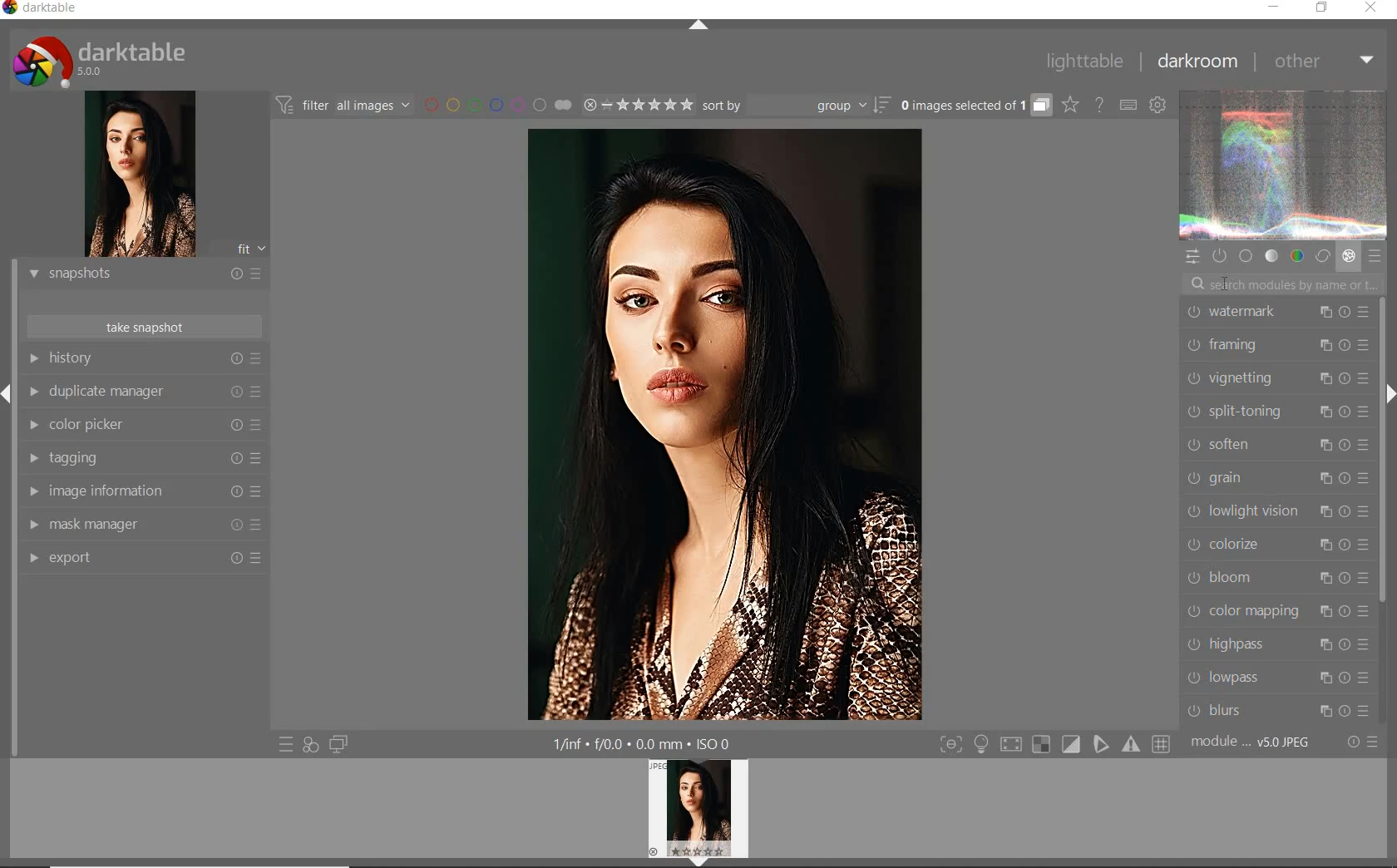  I want to click on COLORIZE, so click(1273, 545).